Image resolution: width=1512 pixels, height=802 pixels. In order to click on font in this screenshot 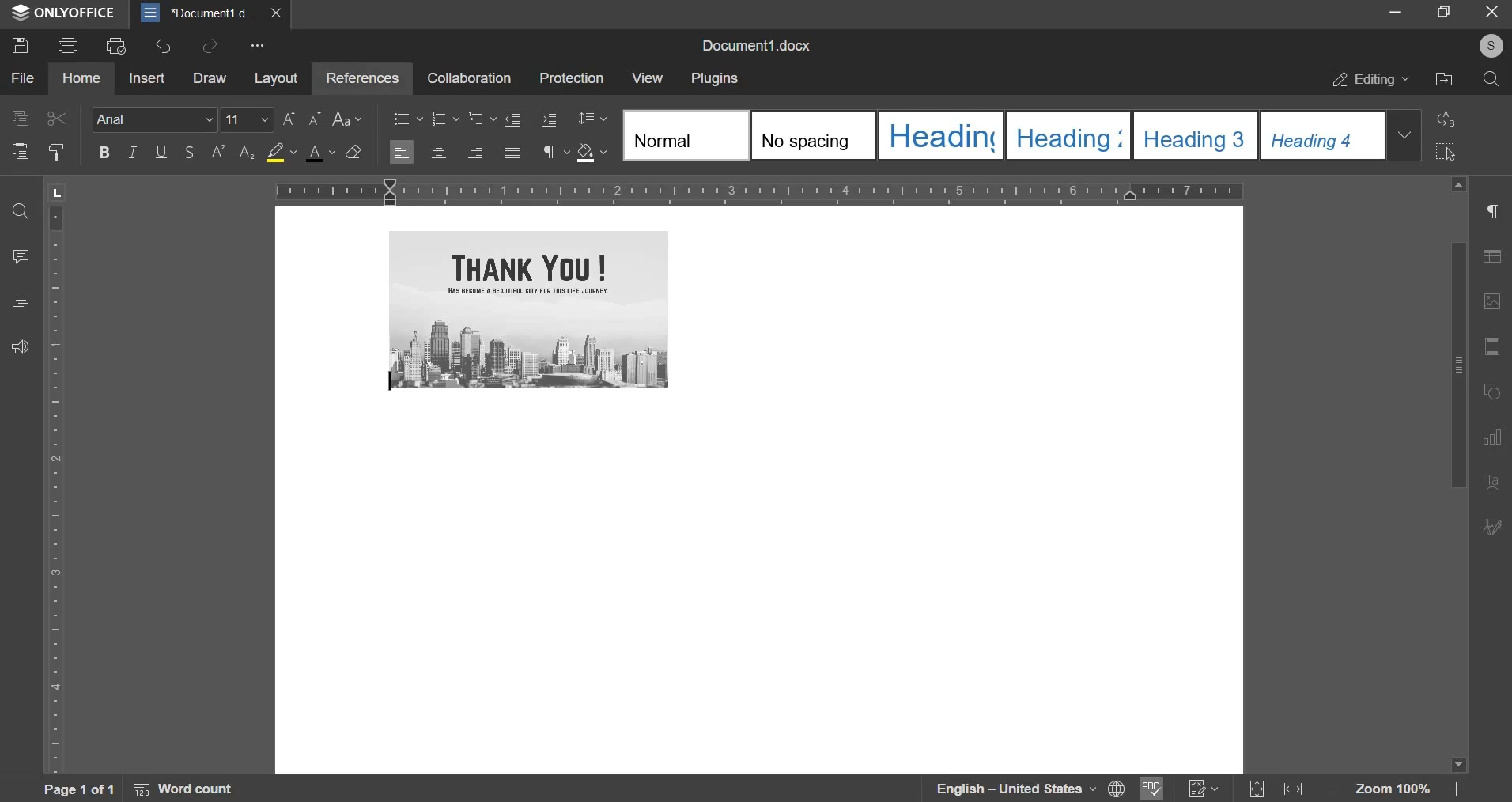, I will do `click(153, 119)`.